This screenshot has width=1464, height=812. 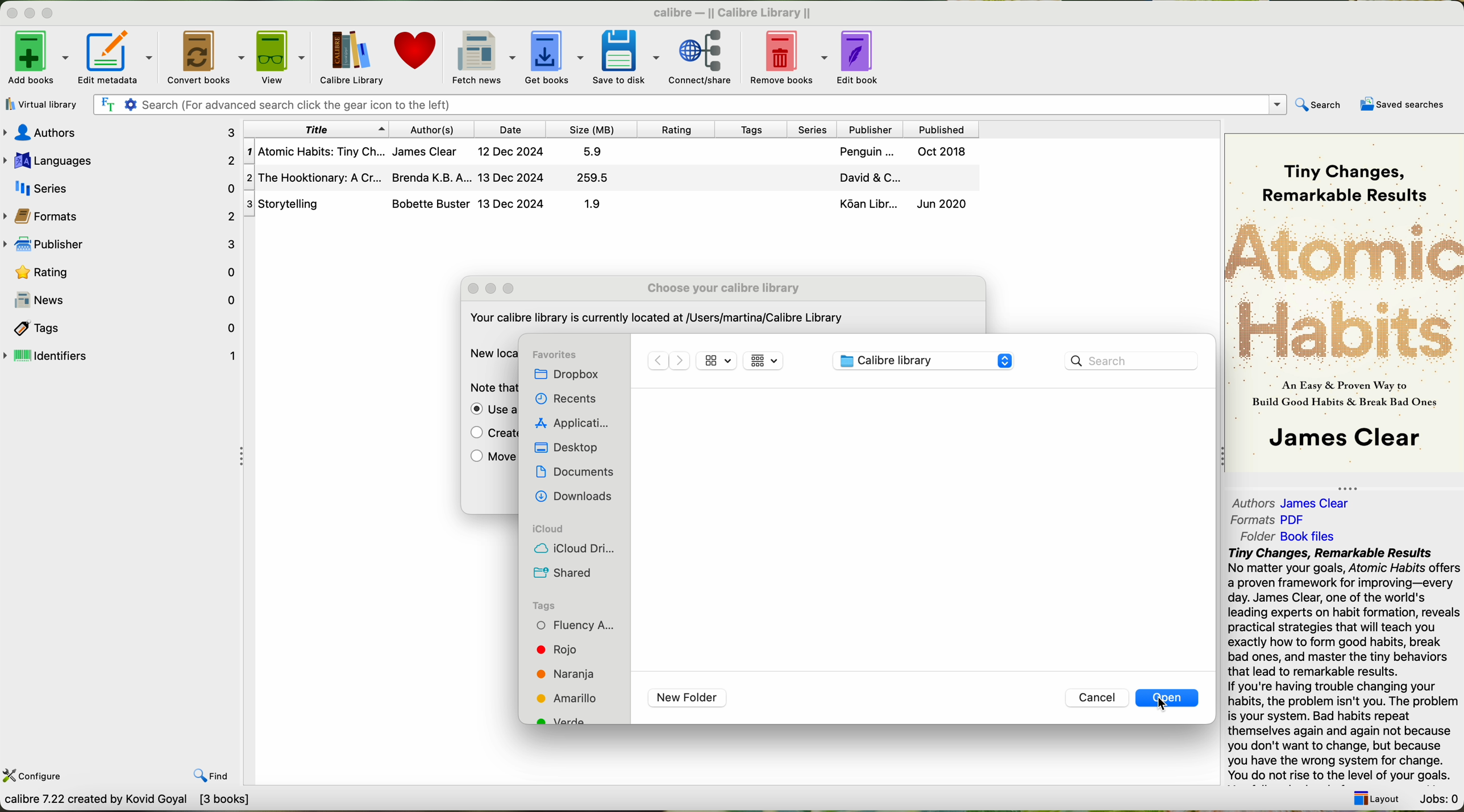 What do you see at coordinates (576, 449) in the screenshot?
I see `desktop` at bounding box center [576, 449].